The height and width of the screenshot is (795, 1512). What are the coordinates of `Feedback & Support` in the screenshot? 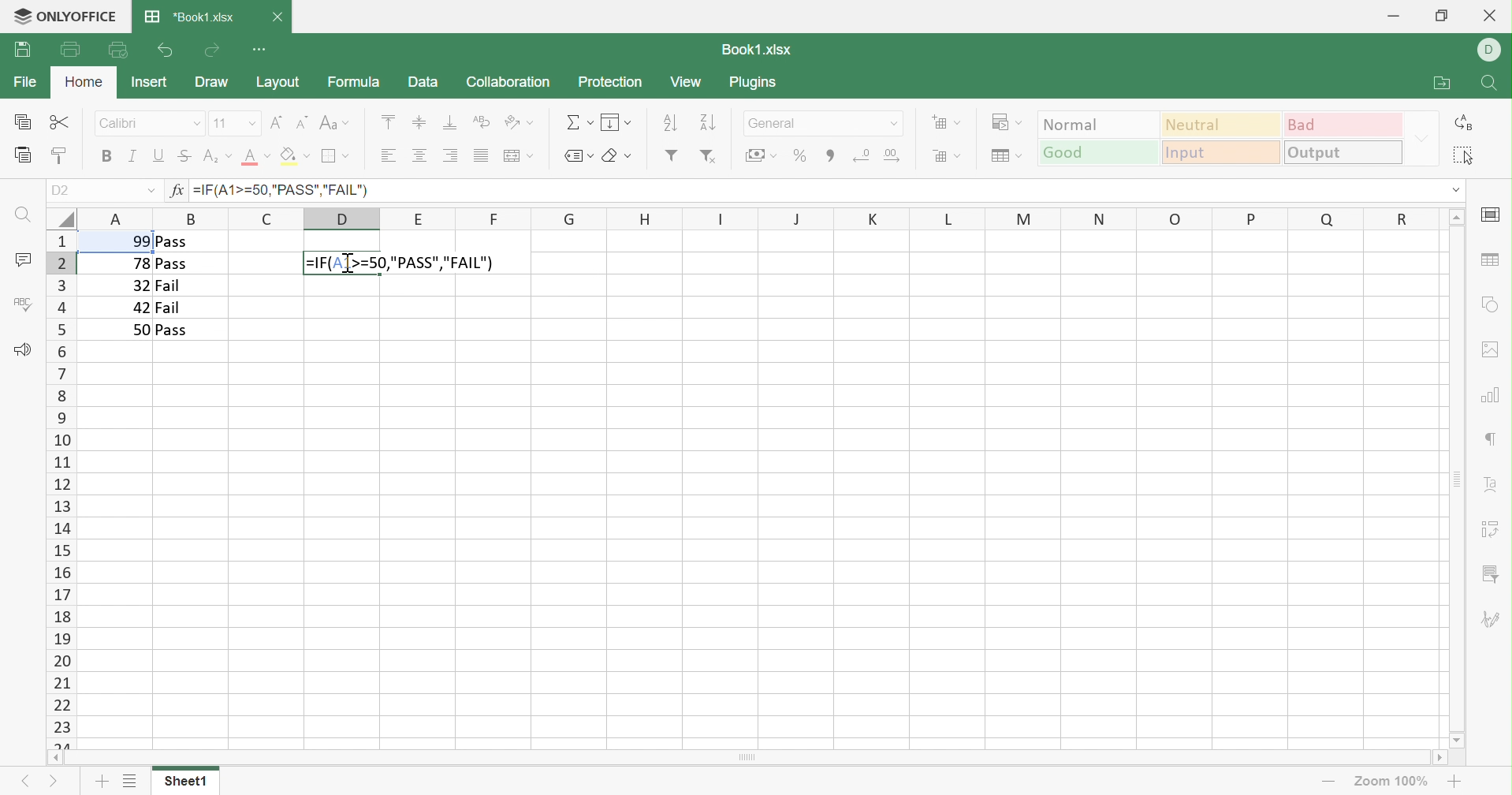 It's located at (21, 349).